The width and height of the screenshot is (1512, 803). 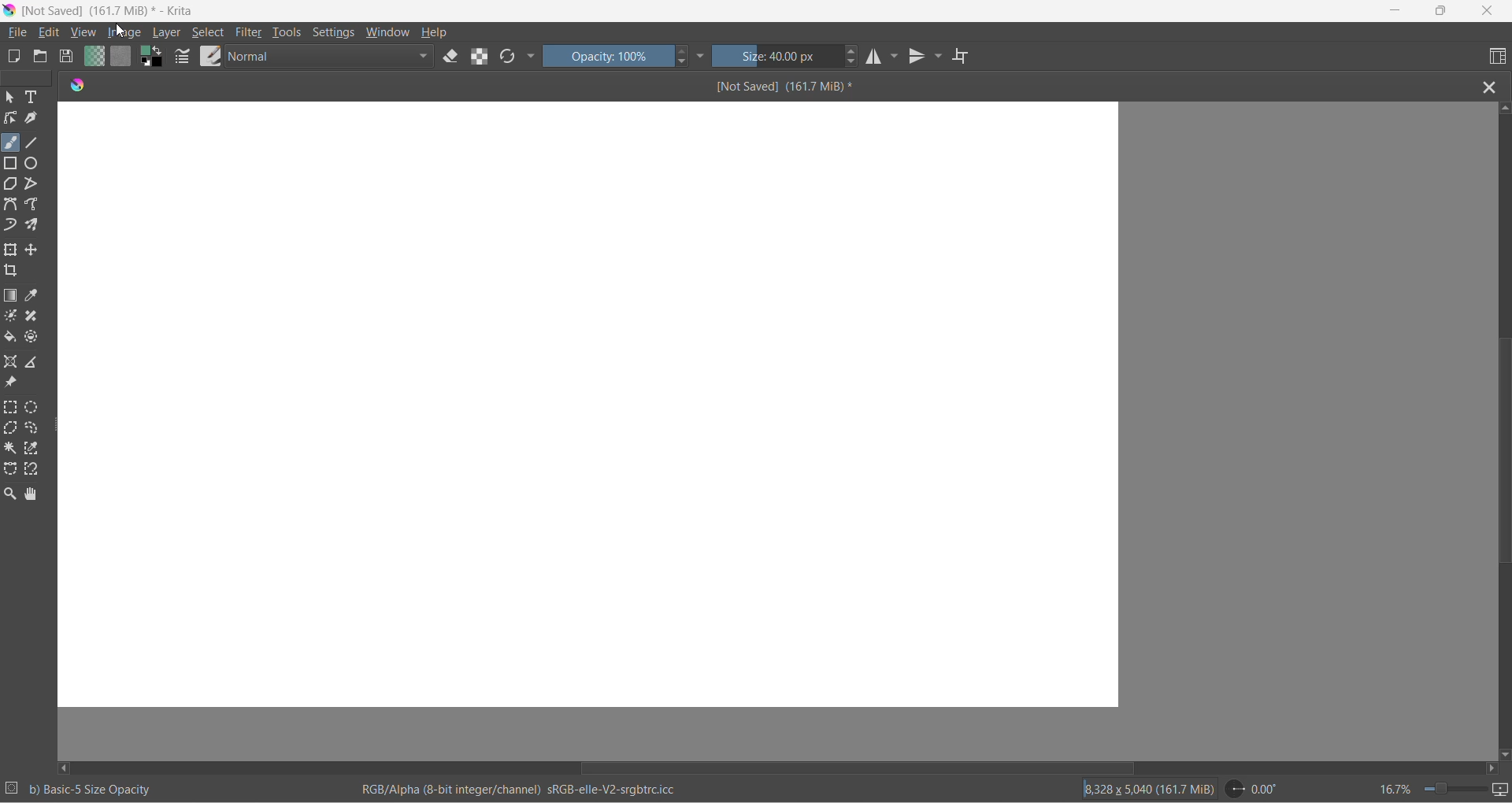 I want to click on brush presets, so click(x=210, y=56).